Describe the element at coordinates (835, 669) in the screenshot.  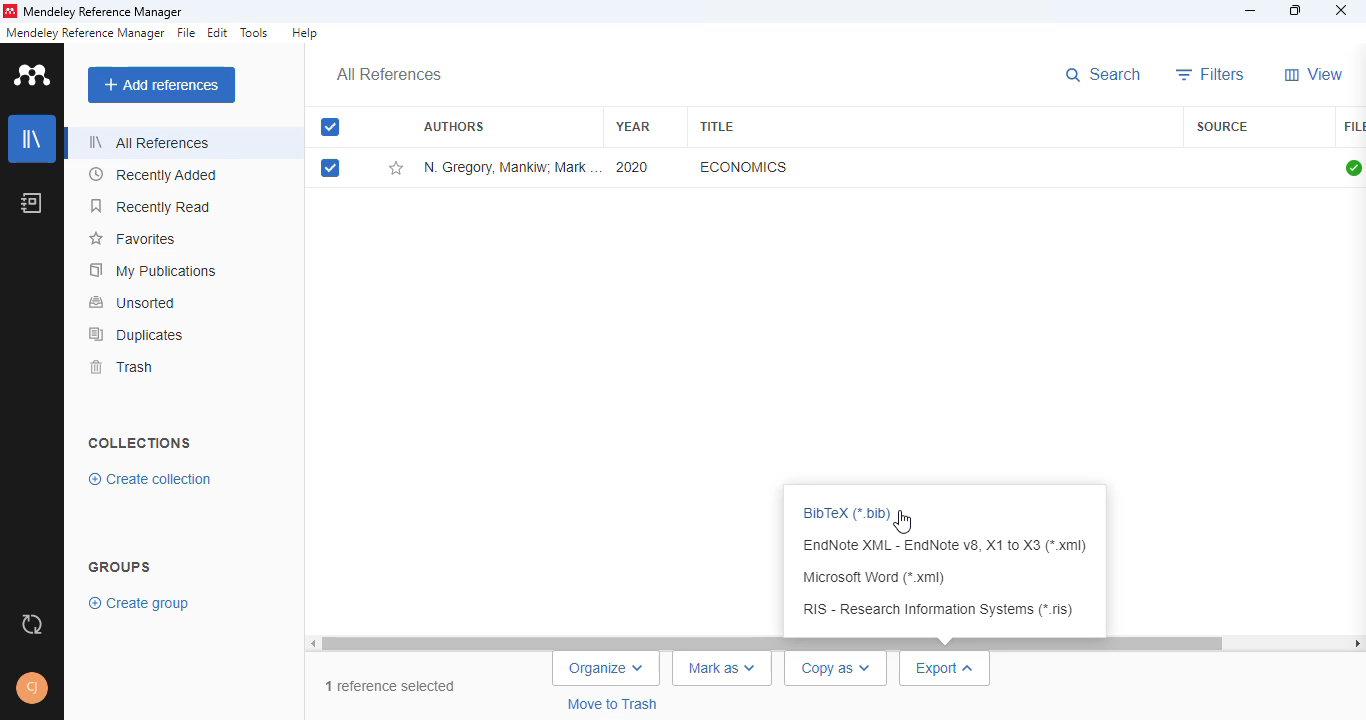
I see `copy as` at that location.